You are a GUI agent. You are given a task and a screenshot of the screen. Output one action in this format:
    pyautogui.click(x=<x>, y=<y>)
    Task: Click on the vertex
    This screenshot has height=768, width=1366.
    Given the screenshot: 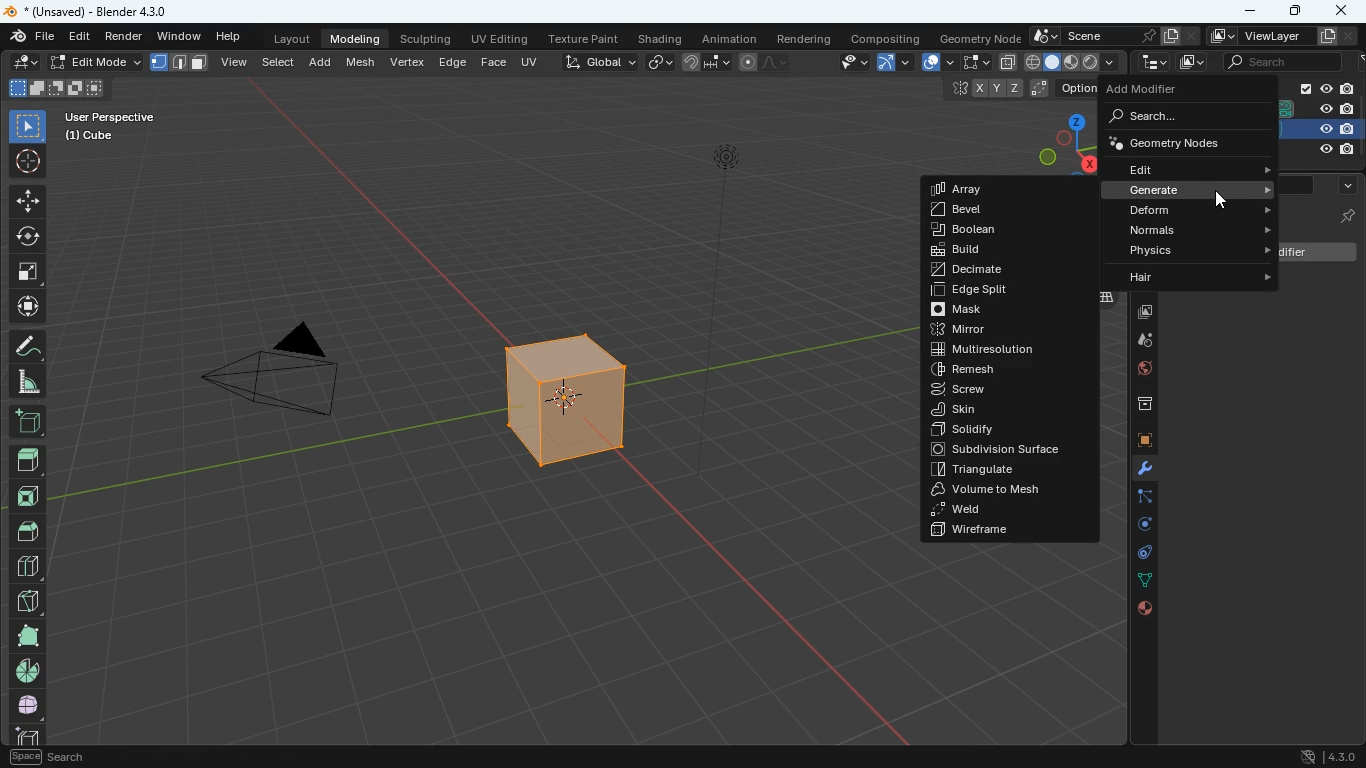 What is the action you would take?
    pyautogui.click(x=409, y=62)
    